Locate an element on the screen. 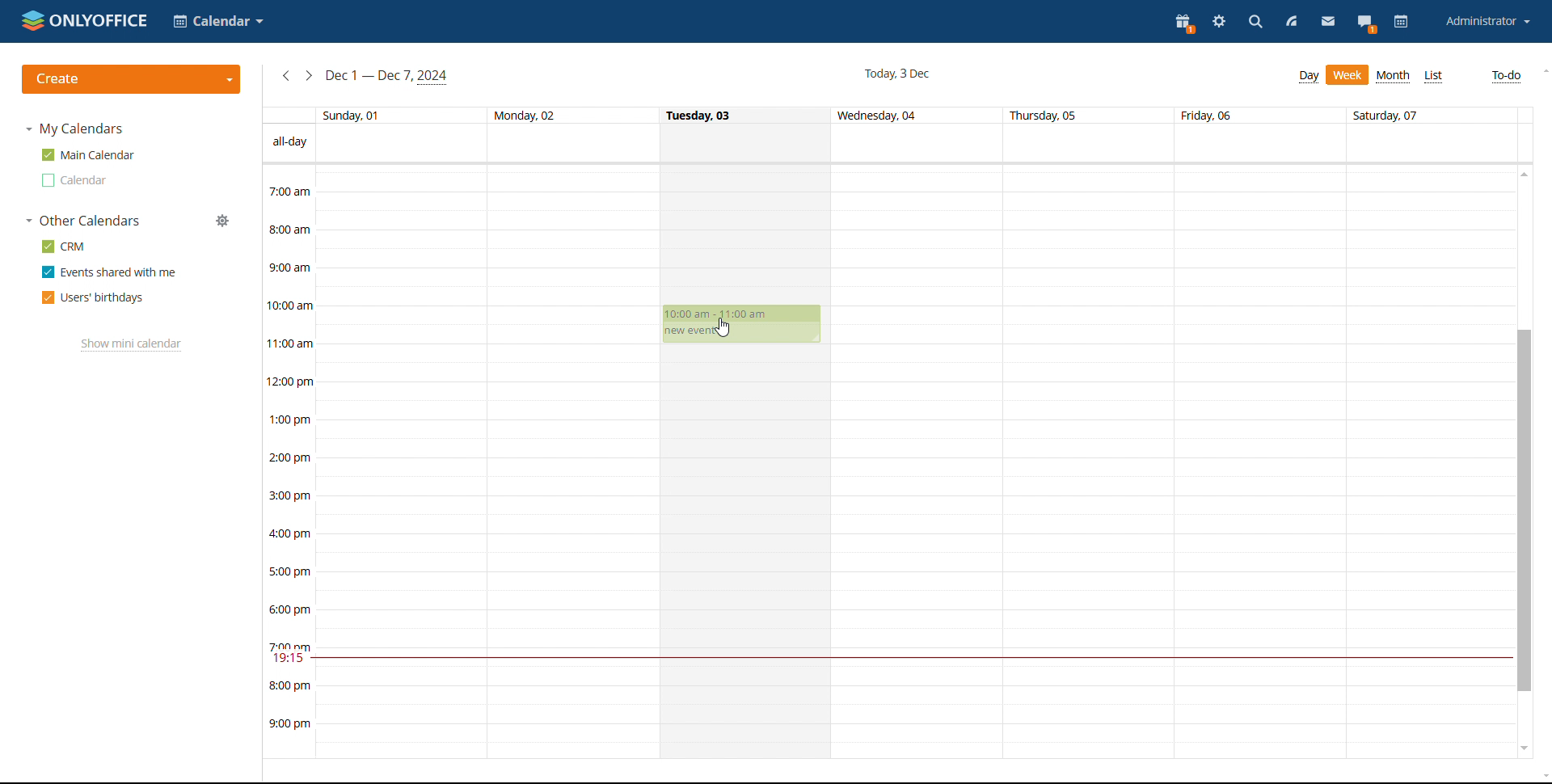 This screenshot has width=1552, height=784. ONLYOFFICE is located at coordinates (83, 19).